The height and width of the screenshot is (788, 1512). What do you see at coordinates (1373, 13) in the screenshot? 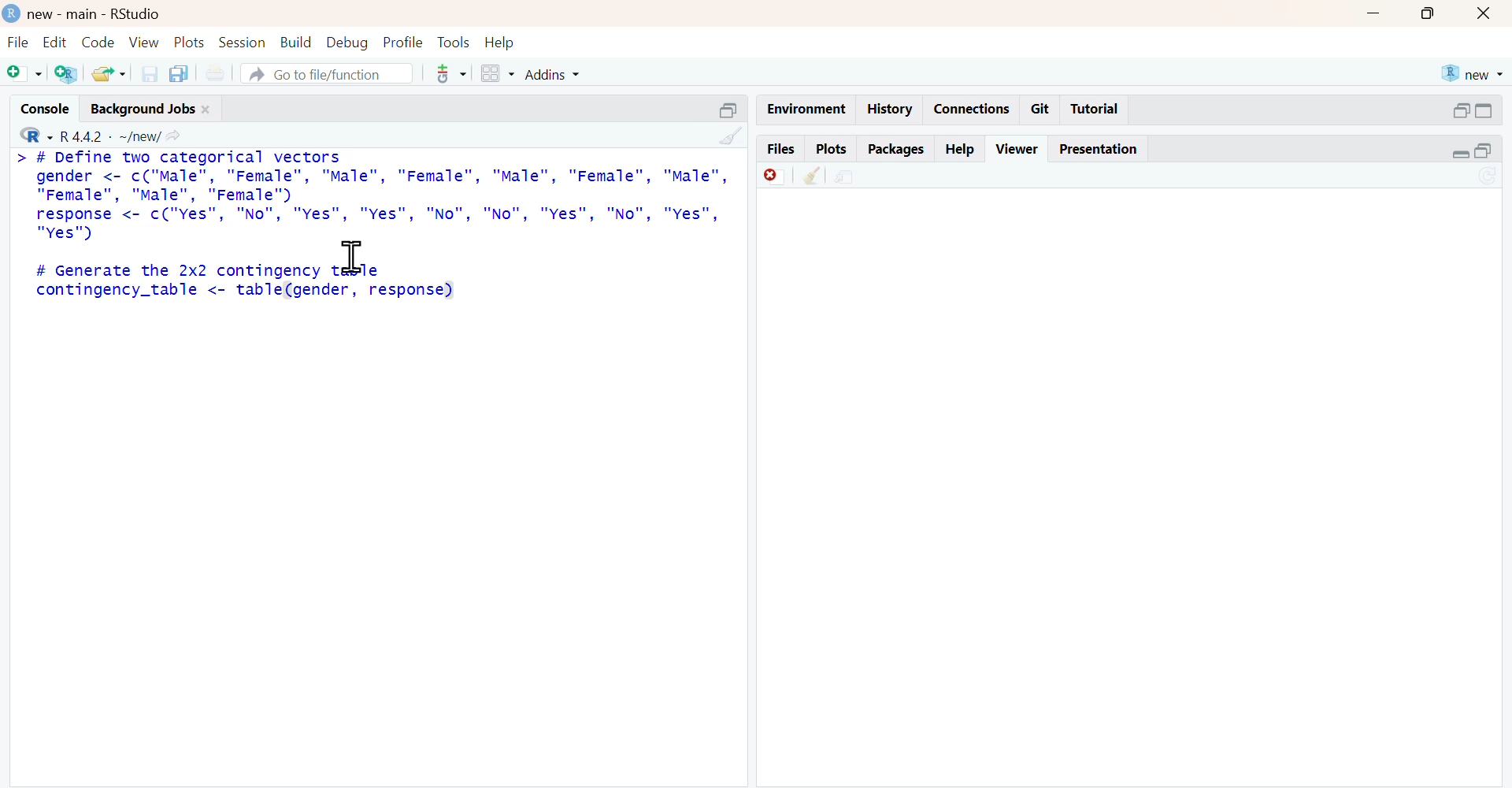
I see `minimise` at bounding box center [1373, 13].